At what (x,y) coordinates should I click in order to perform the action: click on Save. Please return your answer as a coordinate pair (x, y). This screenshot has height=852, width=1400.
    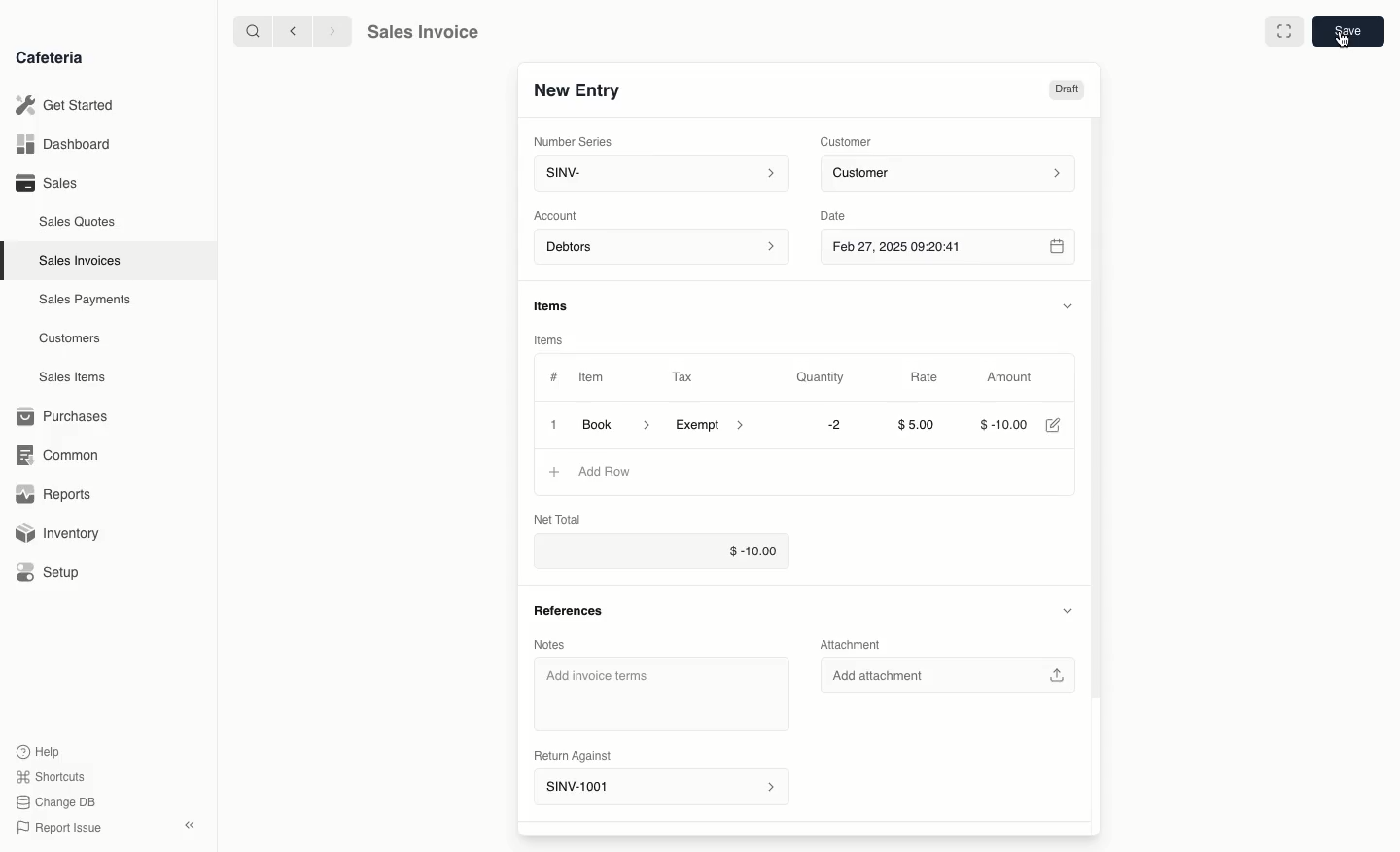
    Looking at the image, I should click on (1348, 29).